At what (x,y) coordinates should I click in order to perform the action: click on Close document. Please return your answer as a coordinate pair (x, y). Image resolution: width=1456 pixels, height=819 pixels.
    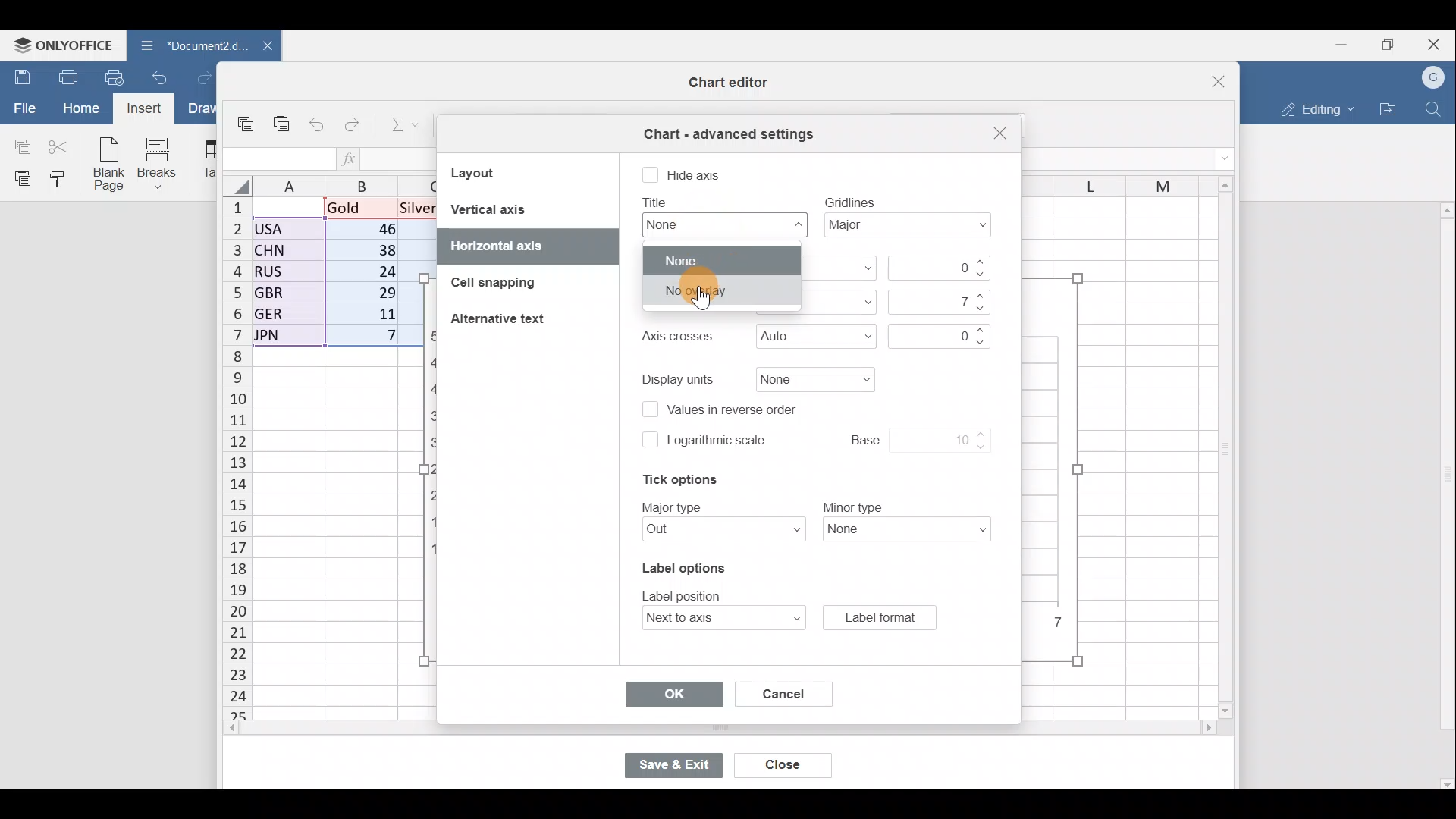
    Looking at the image, I should click on (259, 47).